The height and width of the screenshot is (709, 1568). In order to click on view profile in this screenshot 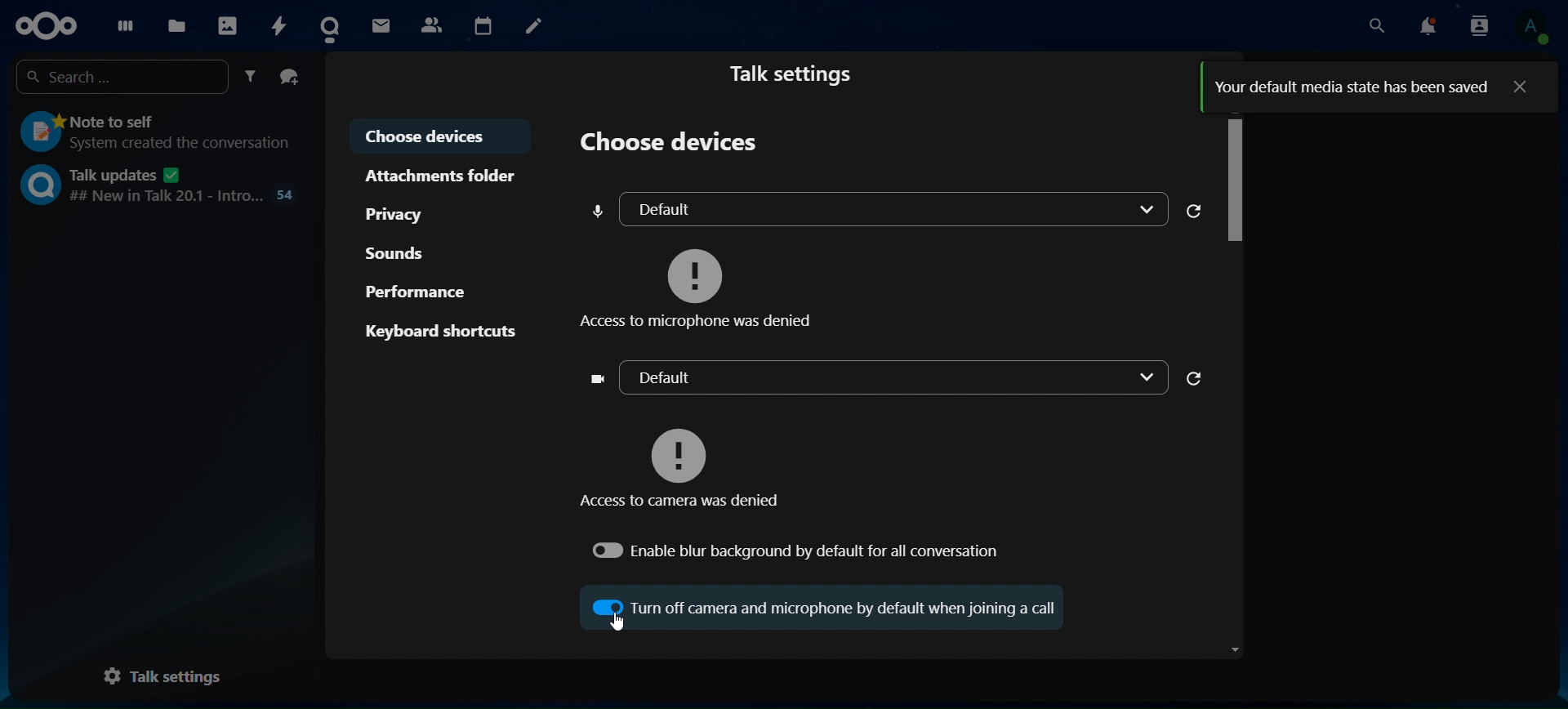, I will do `click(1530, 28)`.